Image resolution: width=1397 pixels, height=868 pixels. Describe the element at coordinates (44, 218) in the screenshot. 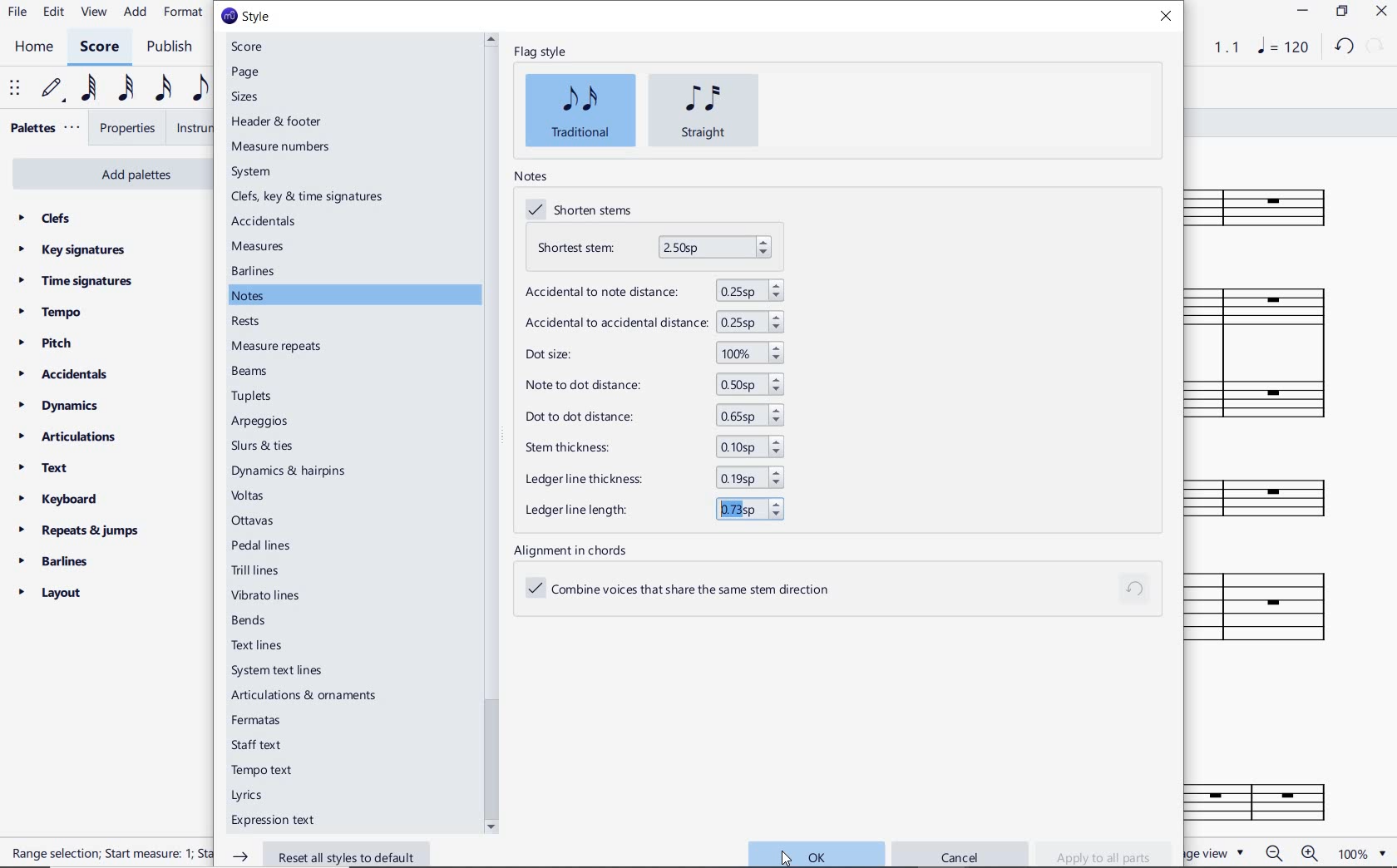

I see `clefs` at that location.